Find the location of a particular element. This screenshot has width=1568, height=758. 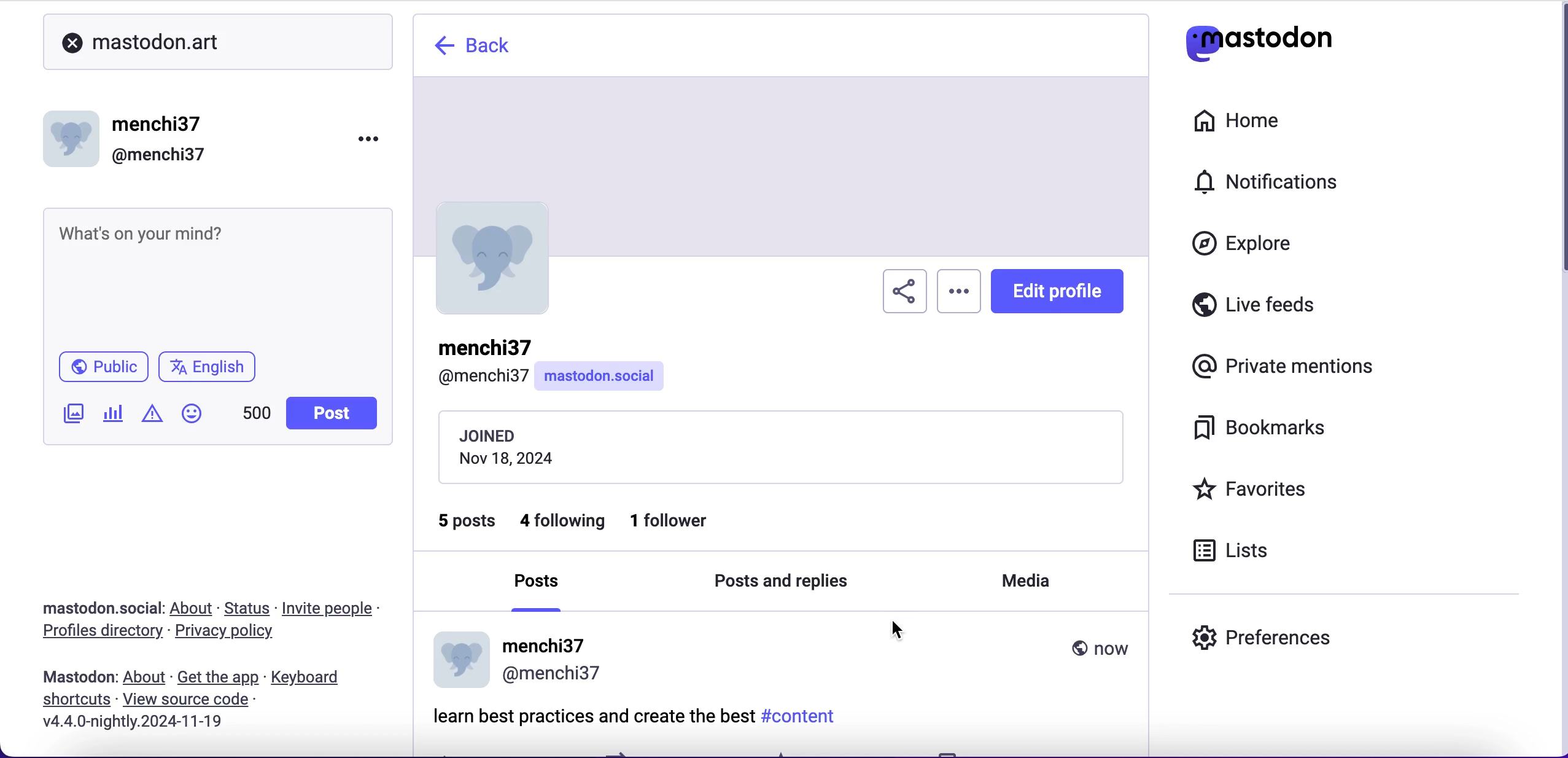

add poll is located at coordinates (114, 415).